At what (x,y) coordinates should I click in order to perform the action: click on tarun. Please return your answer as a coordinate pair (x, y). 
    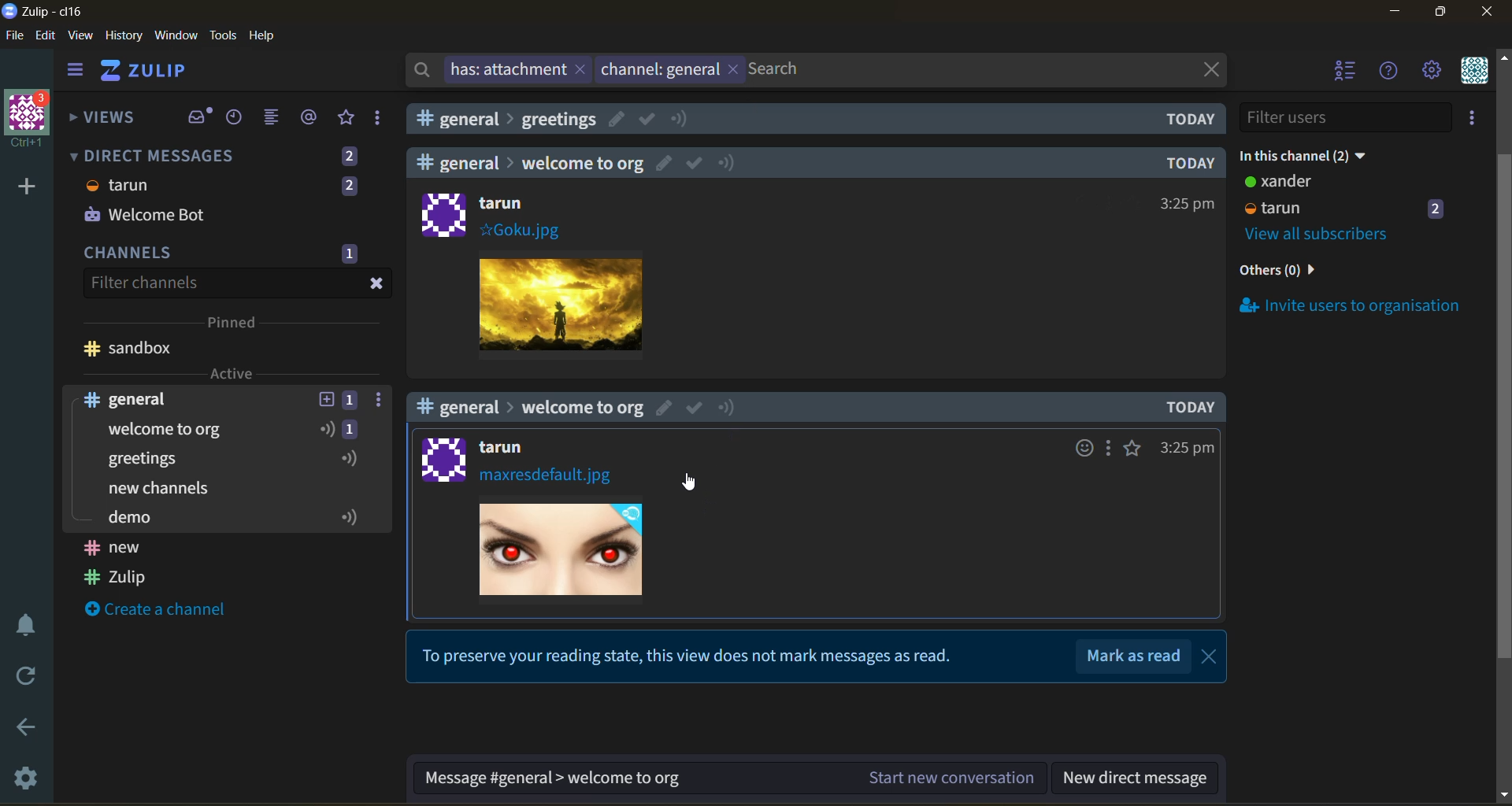
    Looking at the image, I should click on (119, 185).